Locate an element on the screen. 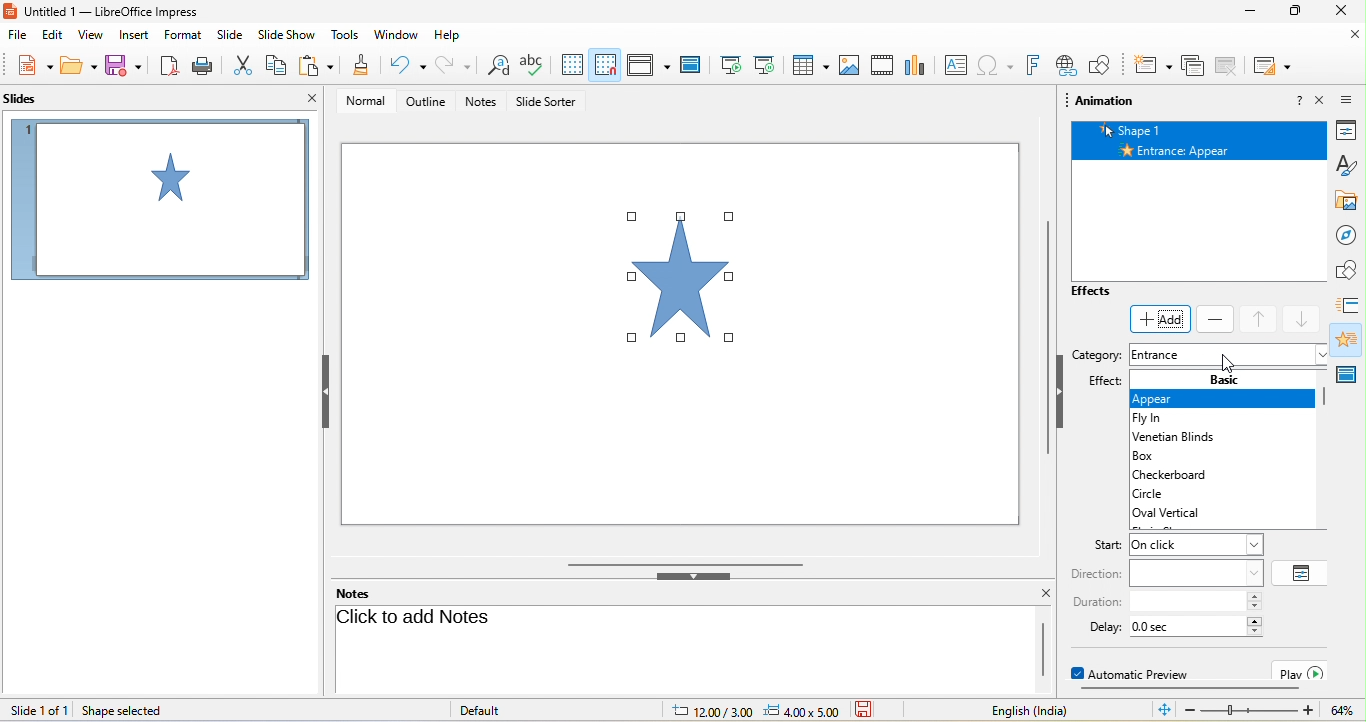 The image size is (1366, 722). animation is located at coordinates (1350, 339).